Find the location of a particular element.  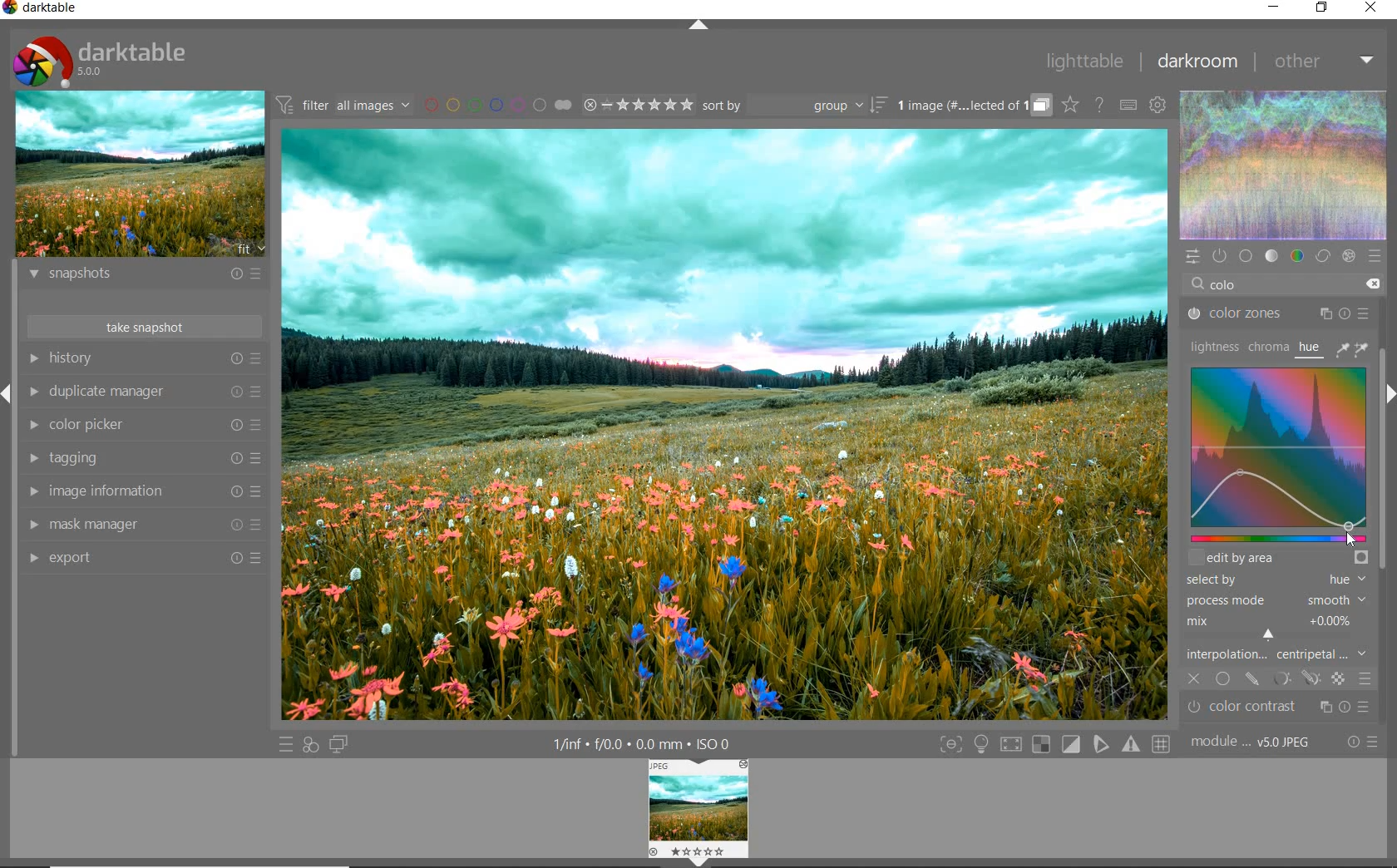

slider is located at coordinates (1276, 538).